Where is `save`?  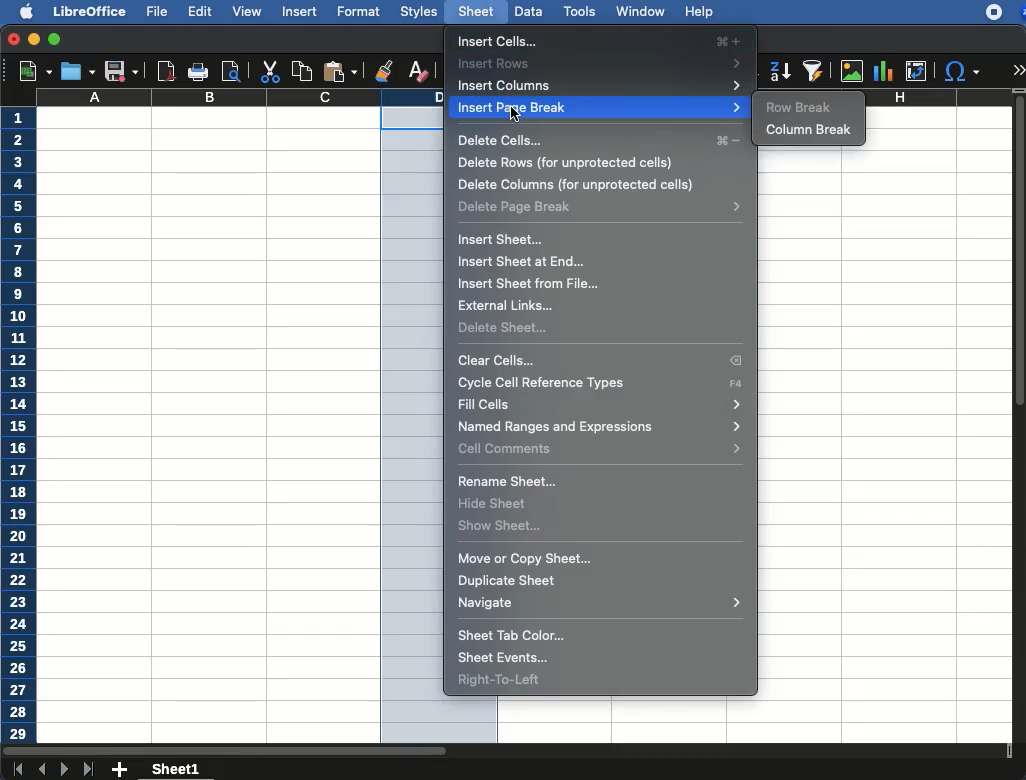
save is located at coordinates (76, 71).